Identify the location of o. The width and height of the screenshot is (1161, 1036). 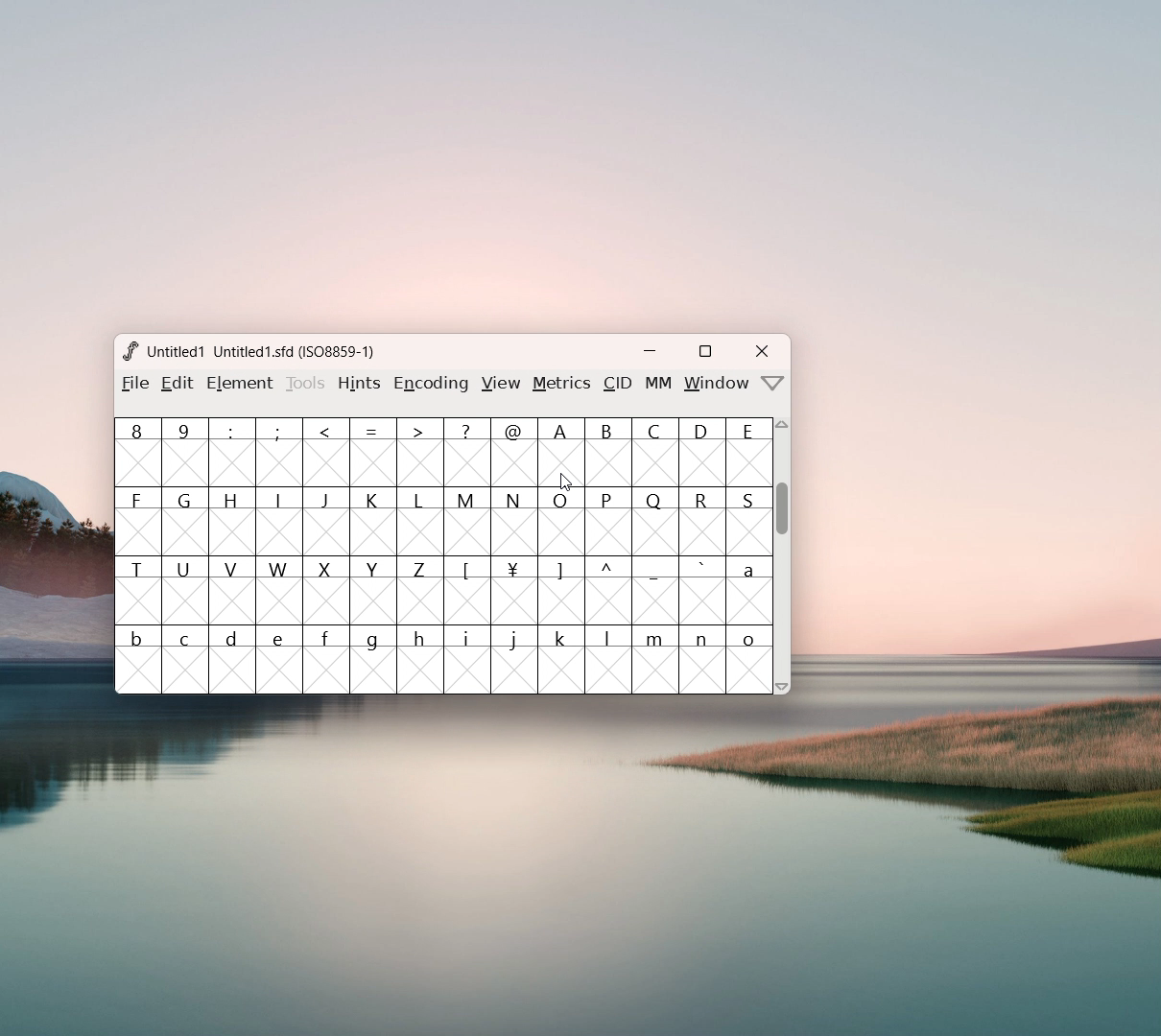
(751, 659).